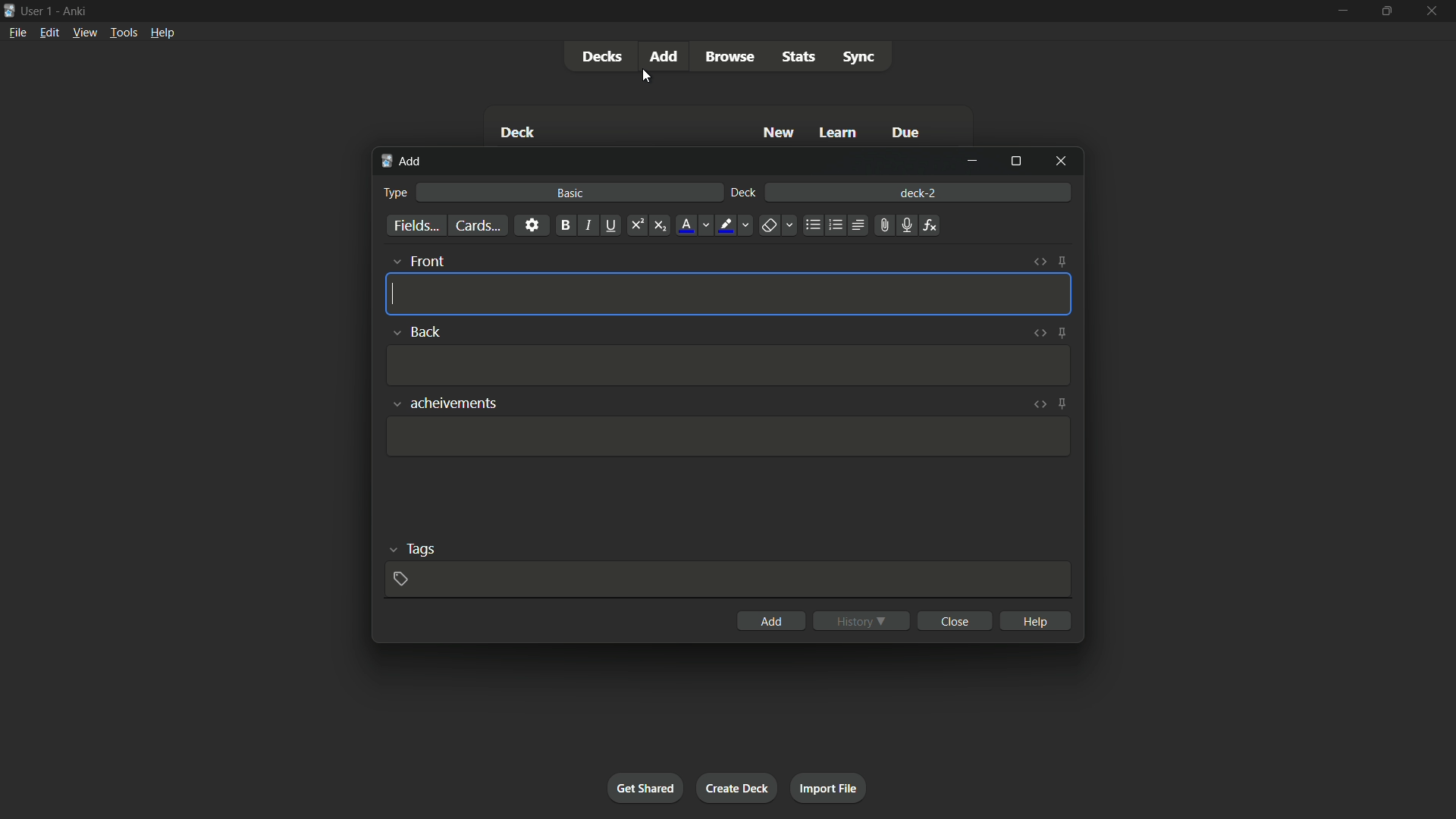 The height and width of the screenshot is (819, 1456). Describe the element at coordinates (516, 132) in the screenshot. I see `Deck` at that location.